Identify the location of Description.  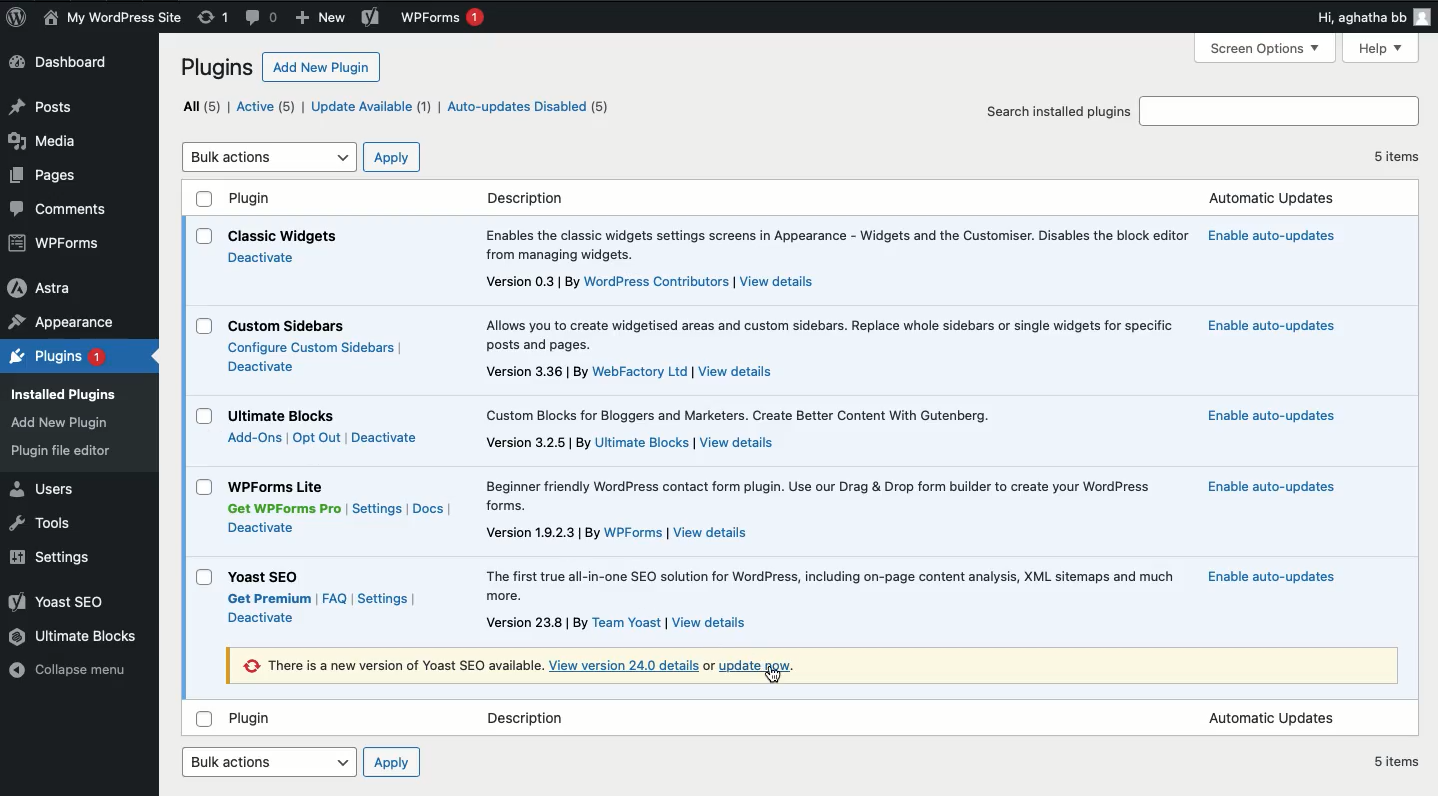
(620, 623).